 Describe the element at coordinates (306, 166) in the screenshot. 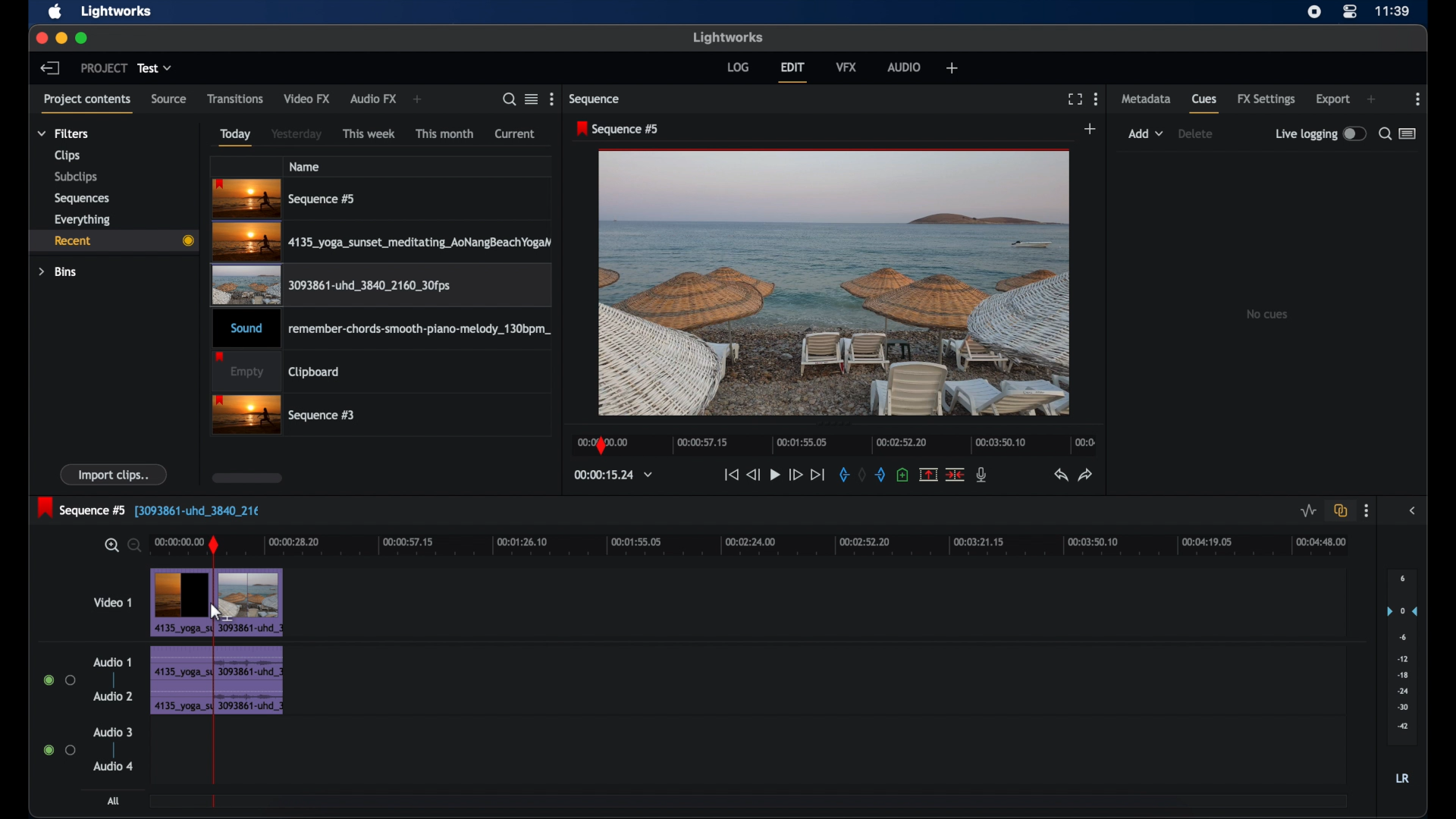

I see `name` at that location.